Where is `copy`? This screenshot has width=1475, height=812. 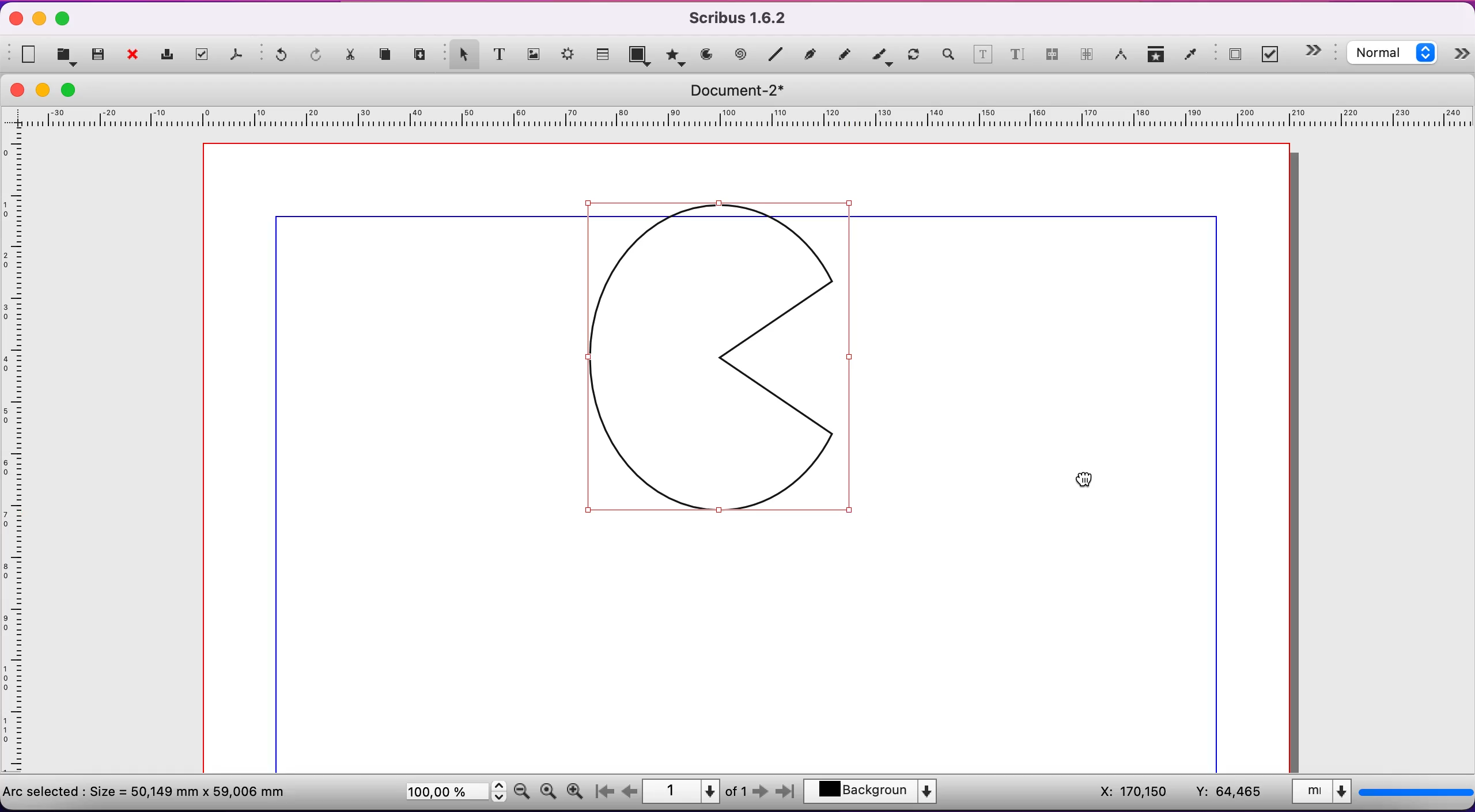
copy is located at coordinates (388, 56).